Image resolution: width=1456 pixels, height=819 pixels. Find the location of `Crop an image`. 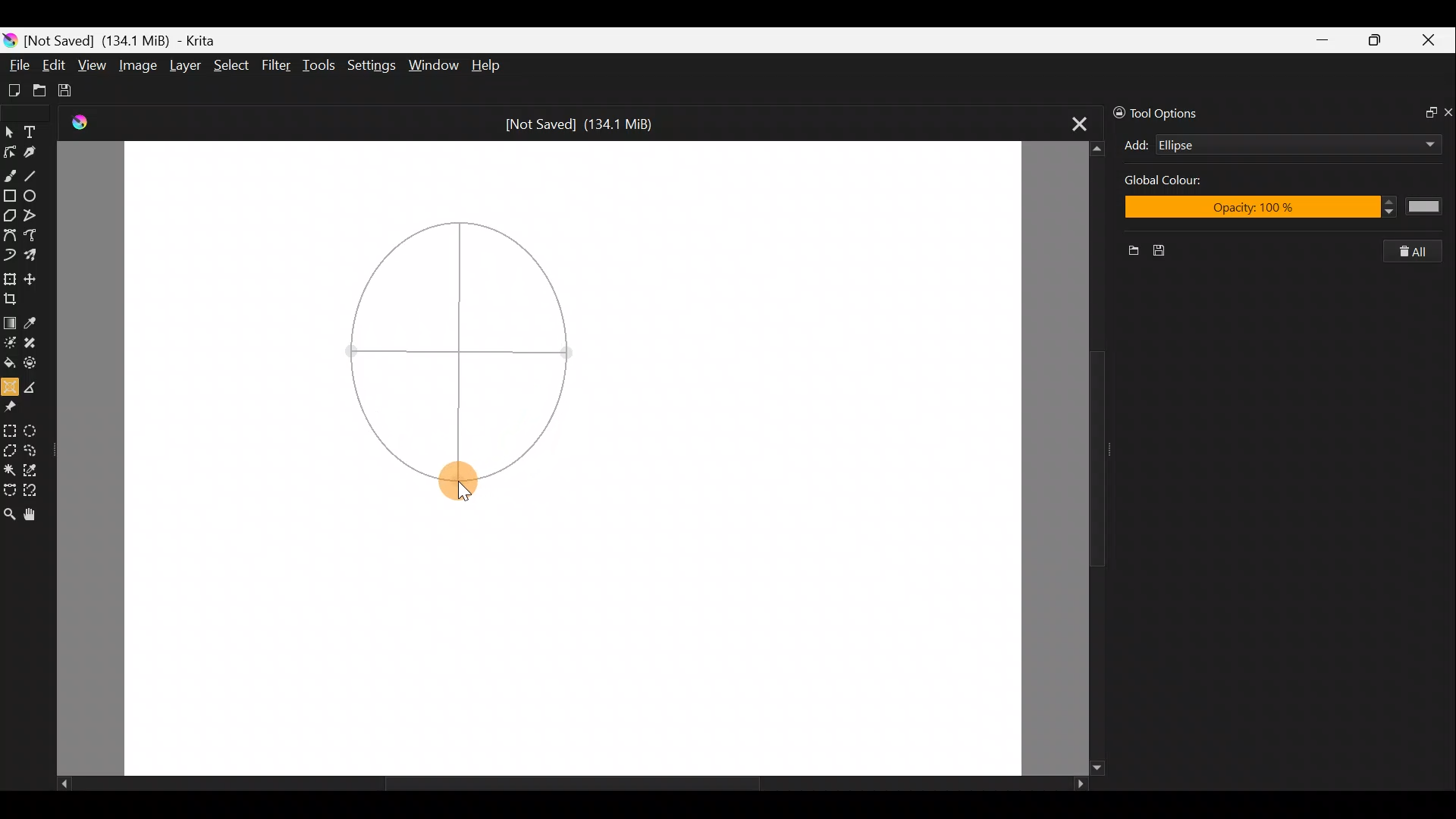

Crop an image is located at coordinates (14, 297).